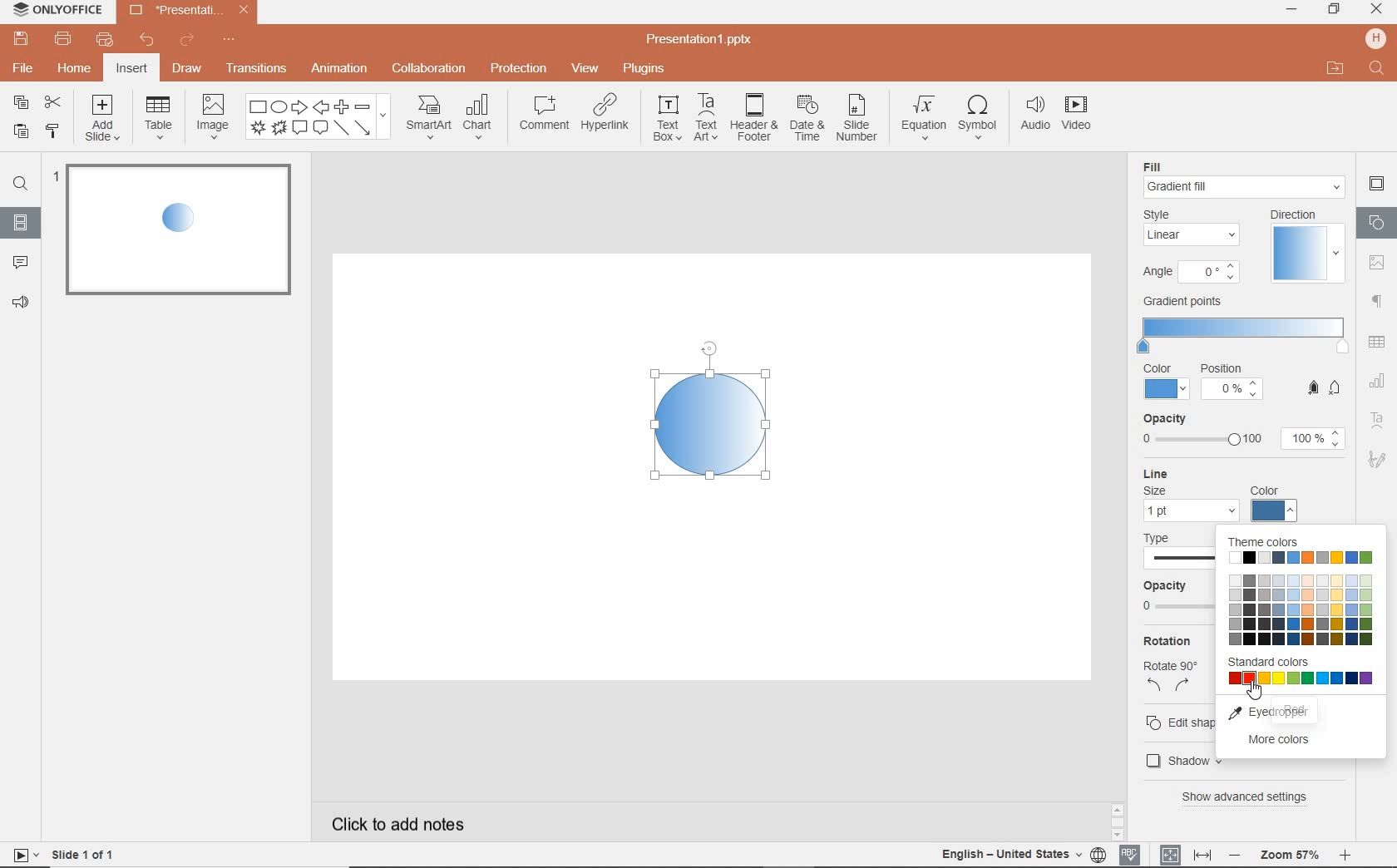  I want to click on SHADOW, so click(1173, 760).